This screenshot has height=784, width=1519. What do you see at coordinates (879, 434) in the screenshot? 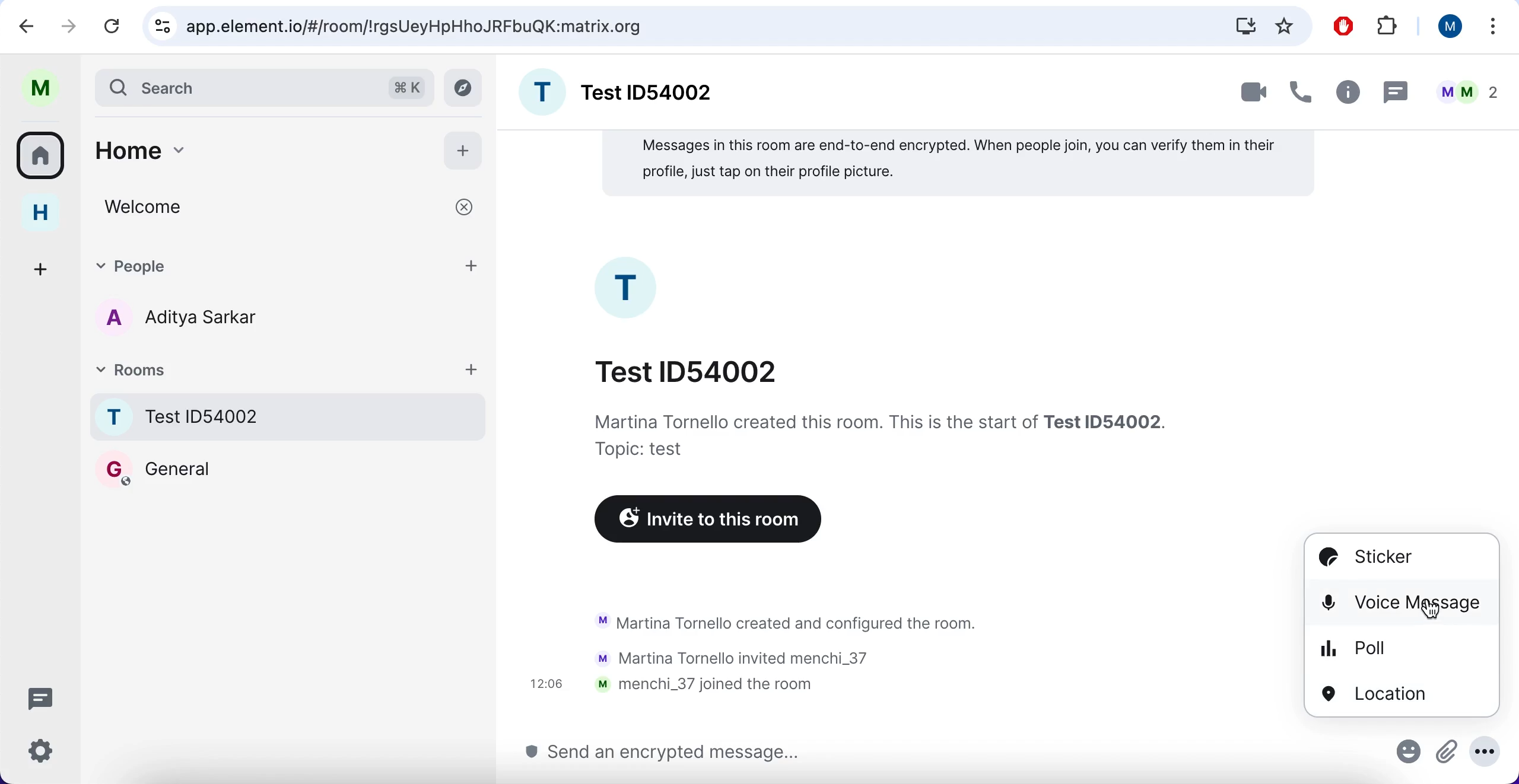
I see `information` at bounding box center [879, 434].